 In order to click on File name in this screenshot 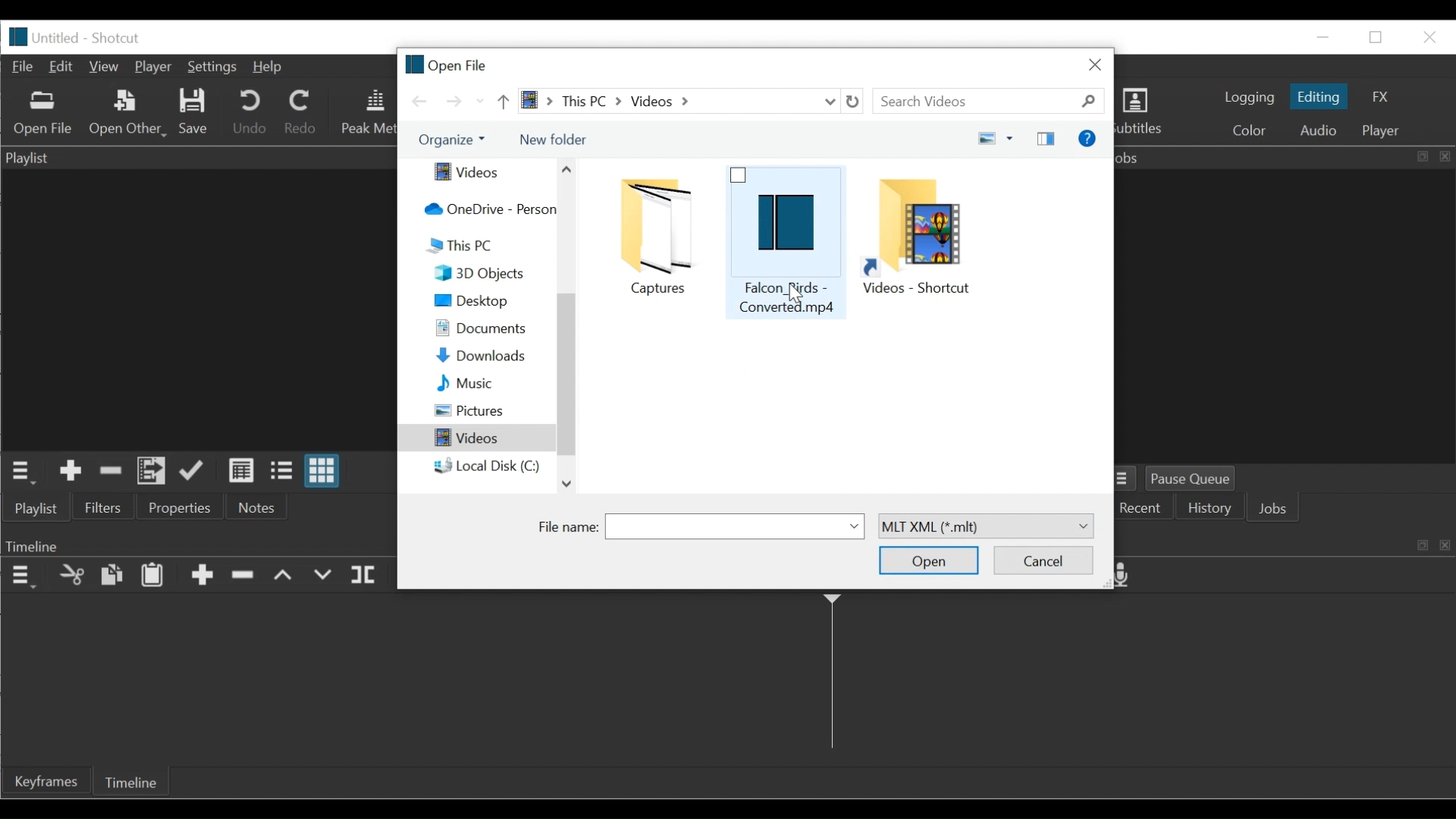, I will do `click(565, 527)`.